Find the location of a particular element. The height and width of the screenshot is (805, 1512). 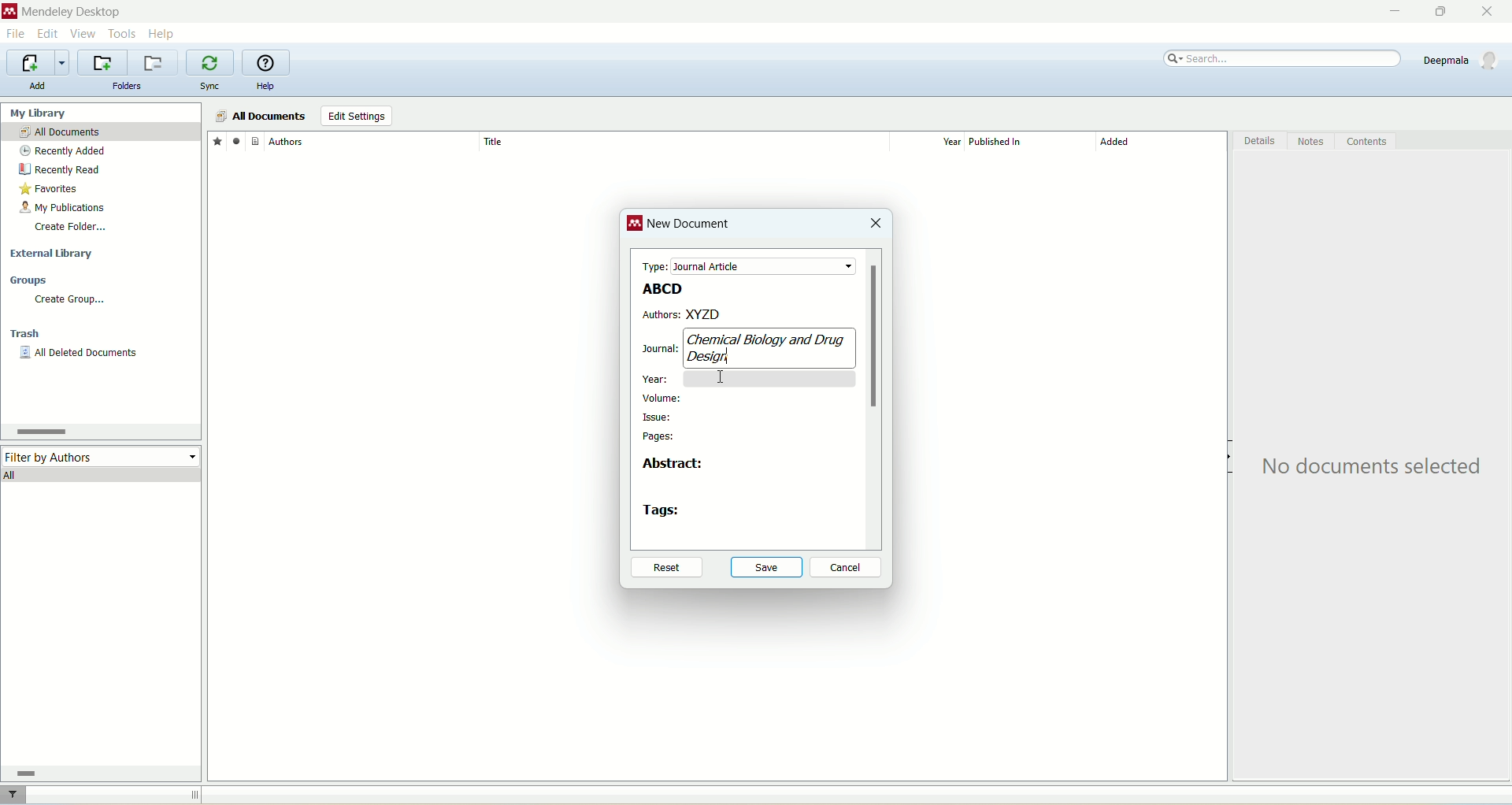

close is located at coordinates (875, 224).